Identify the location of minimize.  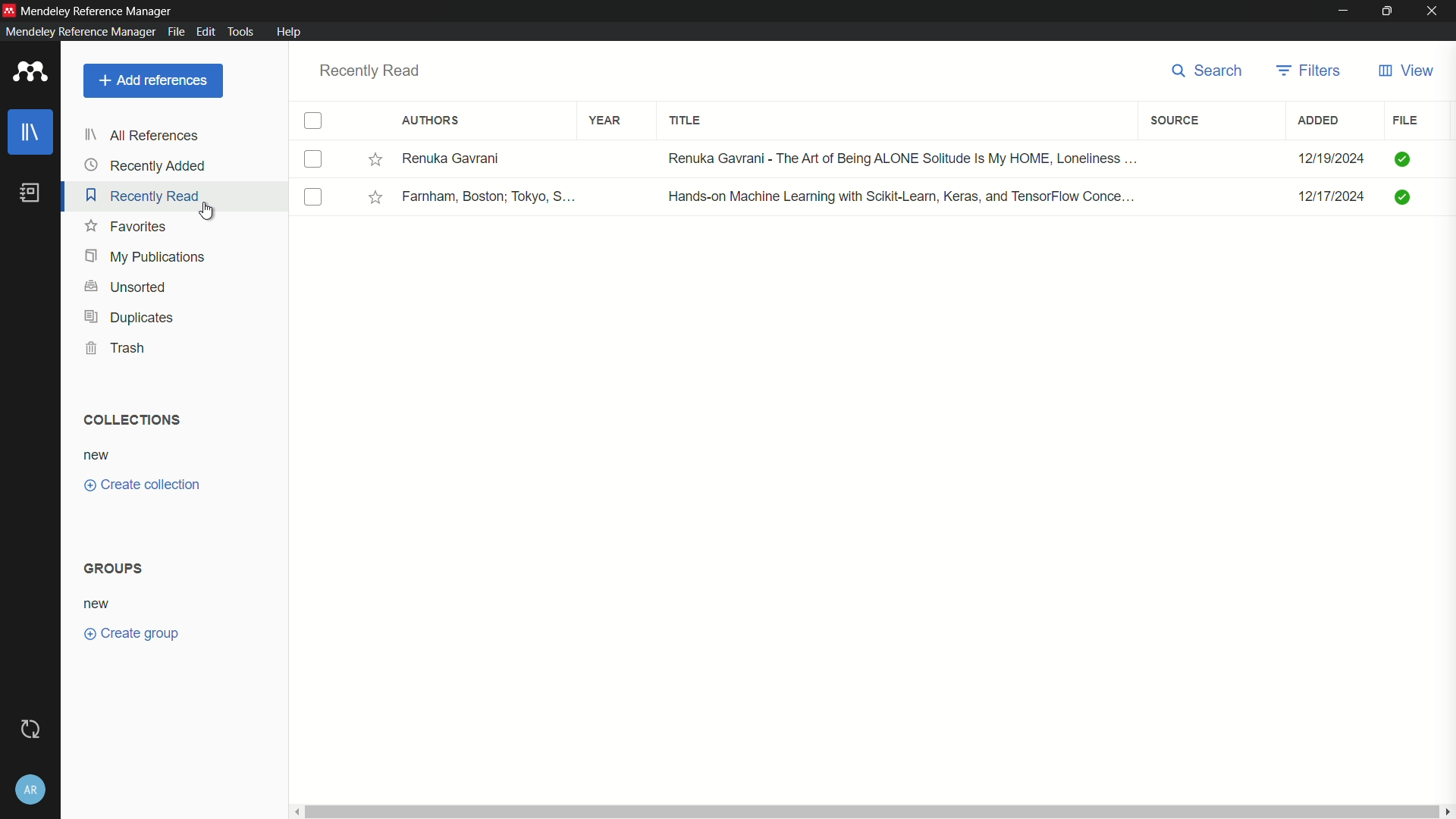
(1341, 10).